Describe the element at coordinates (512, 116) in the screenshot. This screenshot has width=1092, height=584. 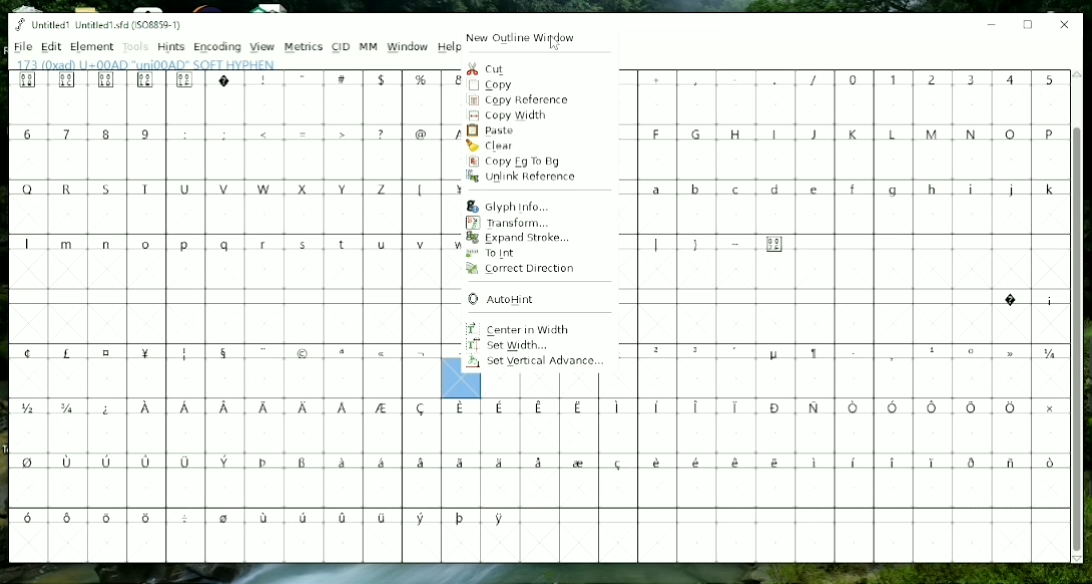
I see `Copy Width` at that location.